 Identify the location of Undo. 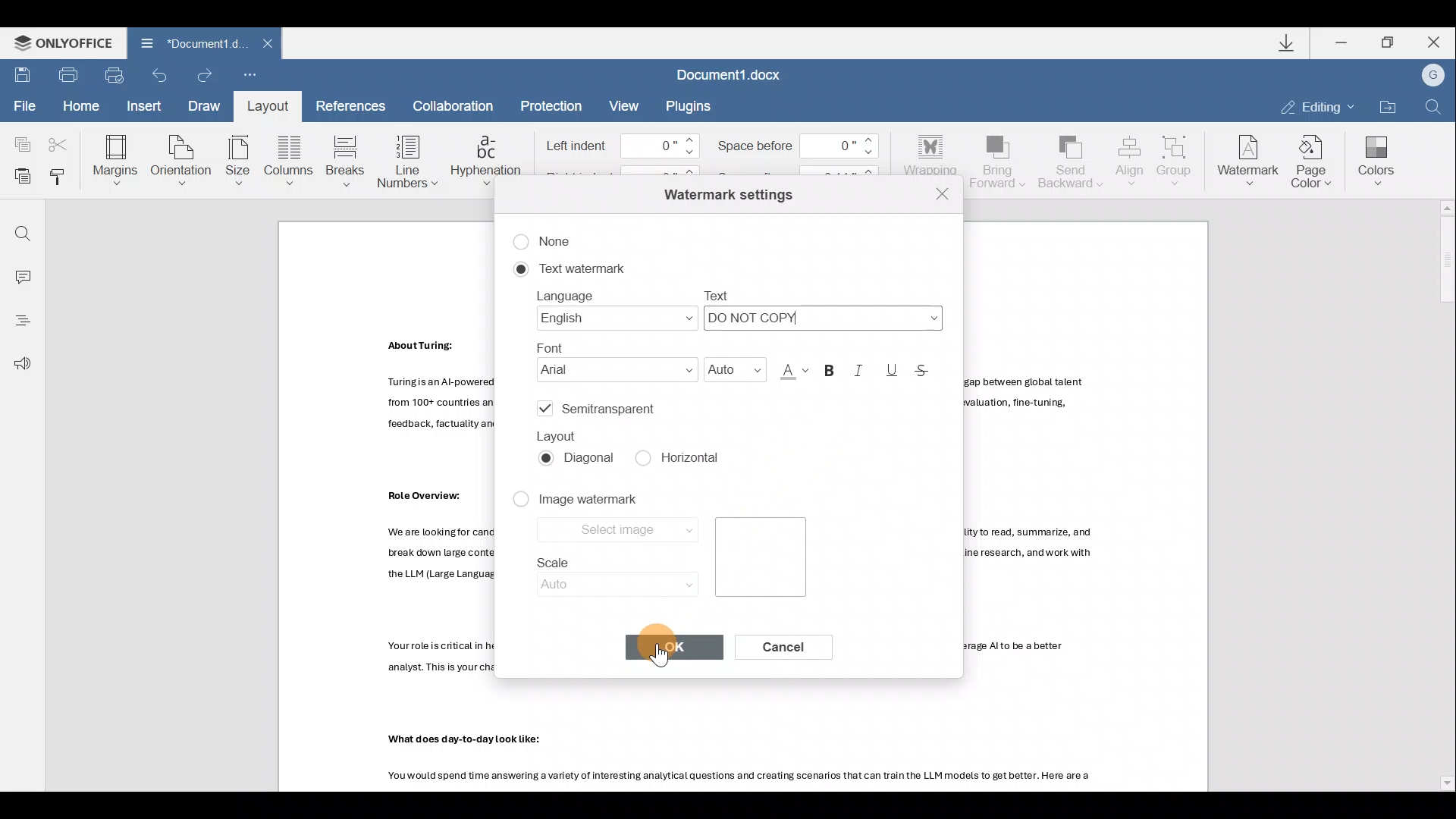
(162, 75).